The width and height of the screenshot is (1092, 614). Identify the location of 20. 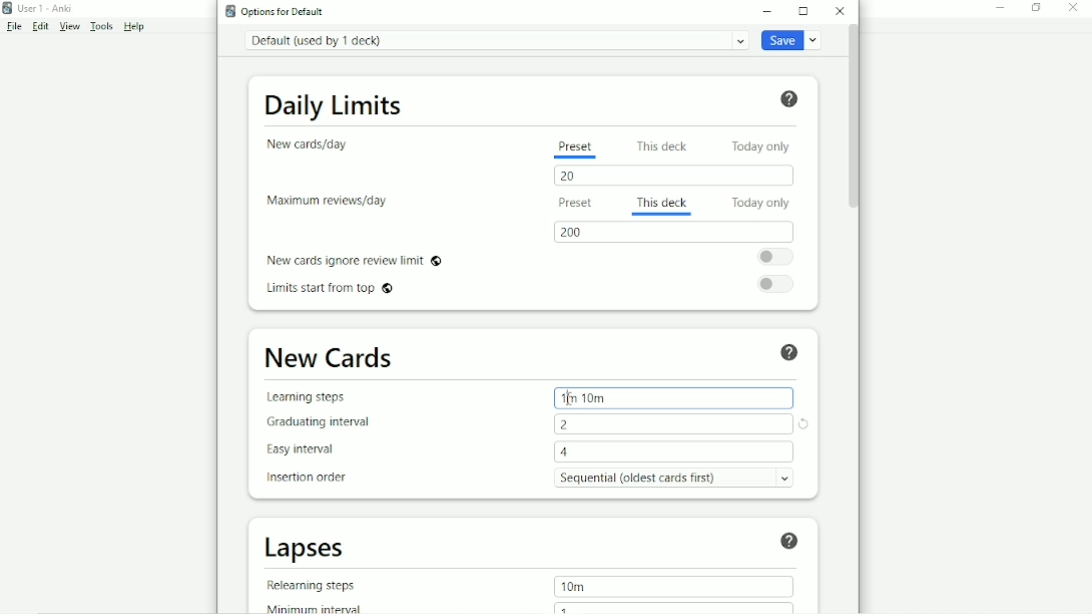
(573, 177).